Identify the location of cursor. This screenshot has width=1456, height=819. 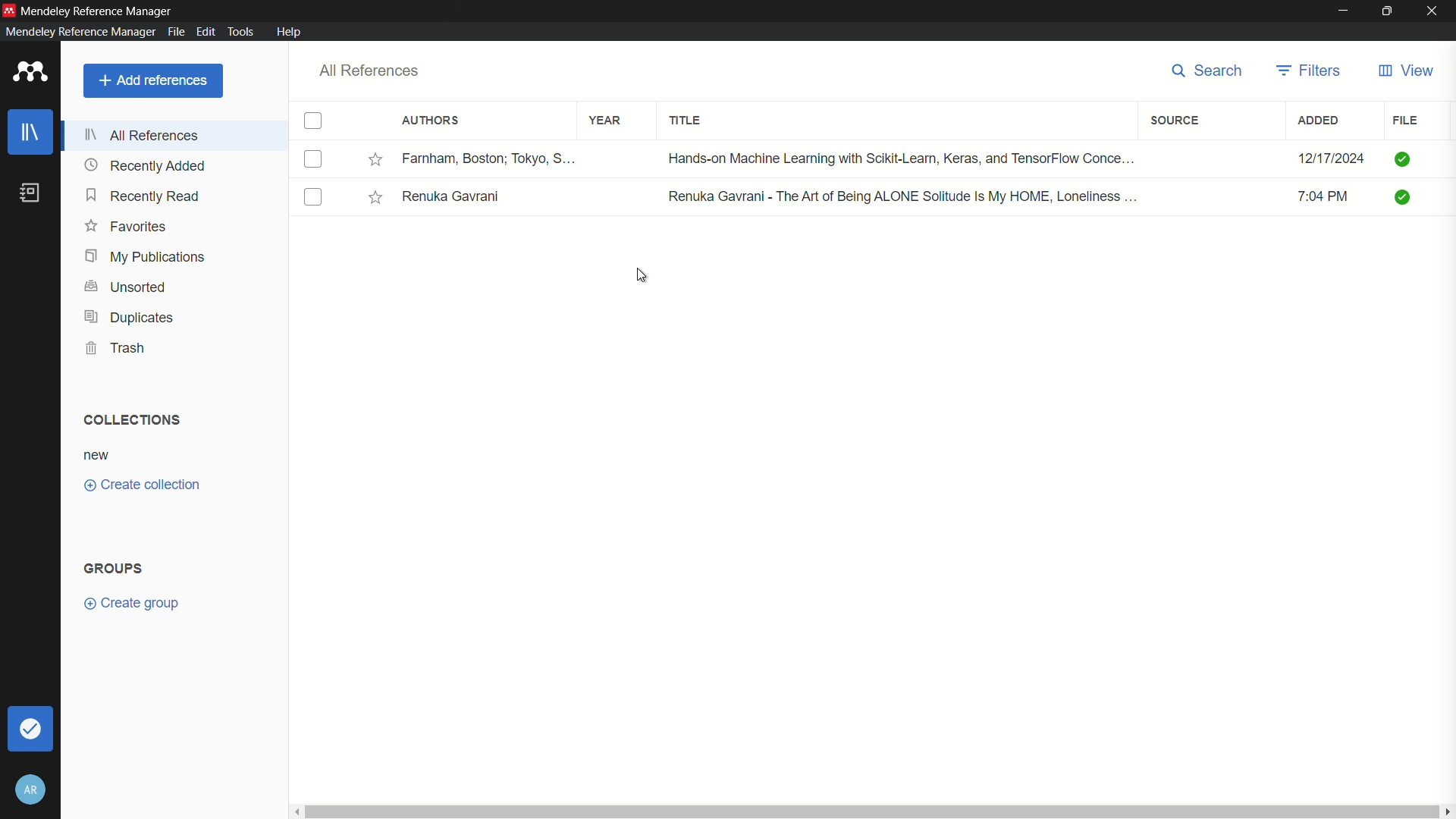
(642, 275).